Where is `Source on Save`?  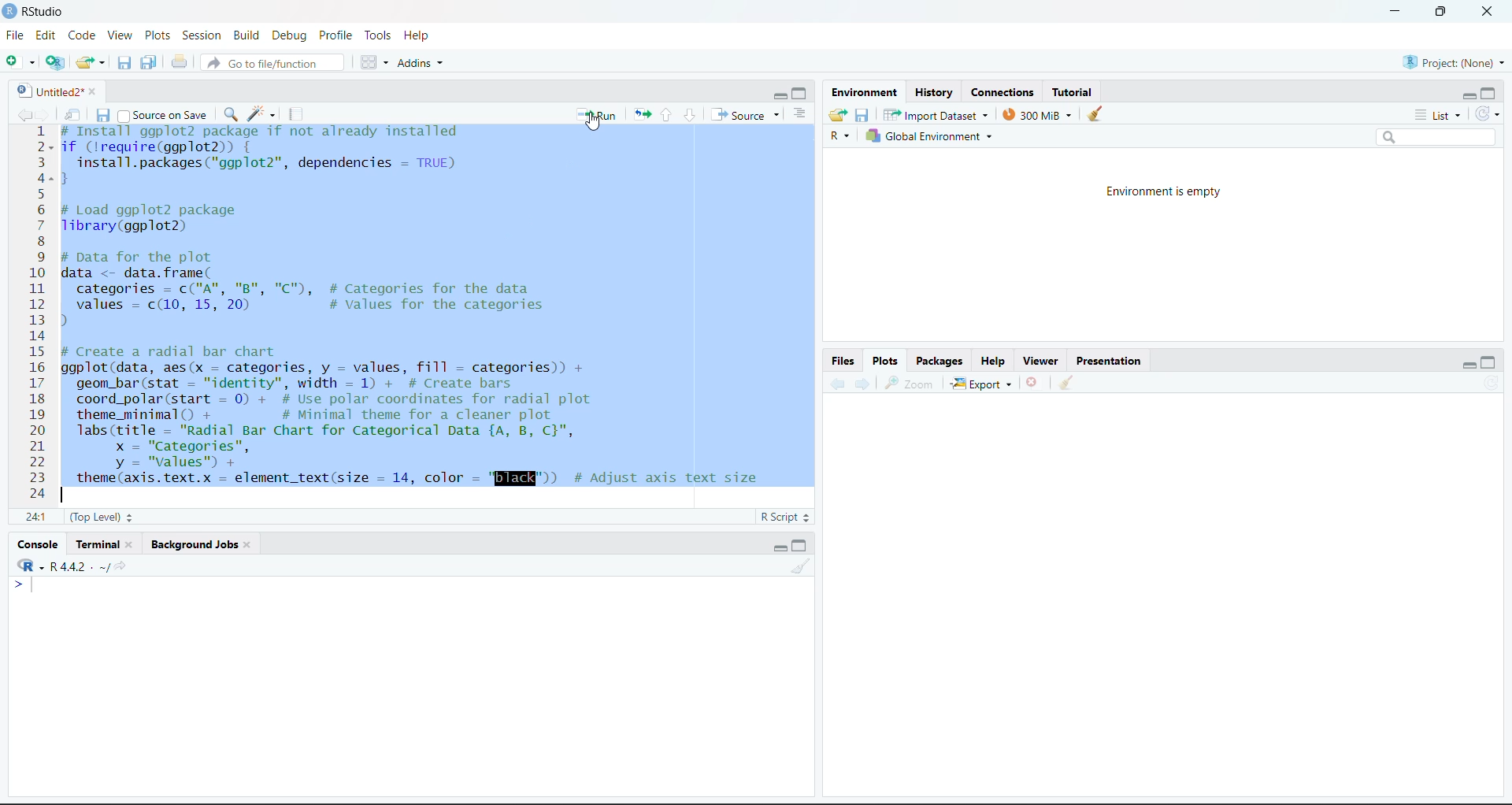 Source on Save is located at coordinates (164, 116).